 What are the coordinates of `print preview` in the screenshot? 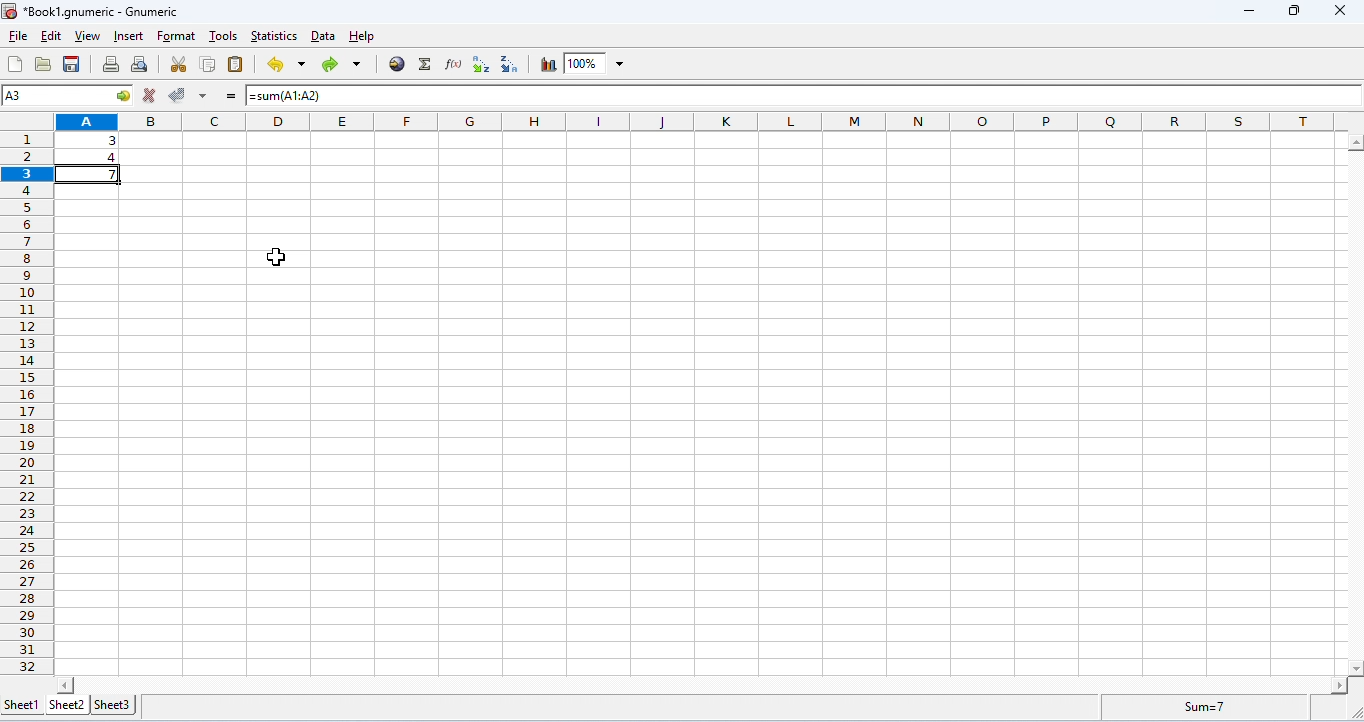 It's located at (140, 65).